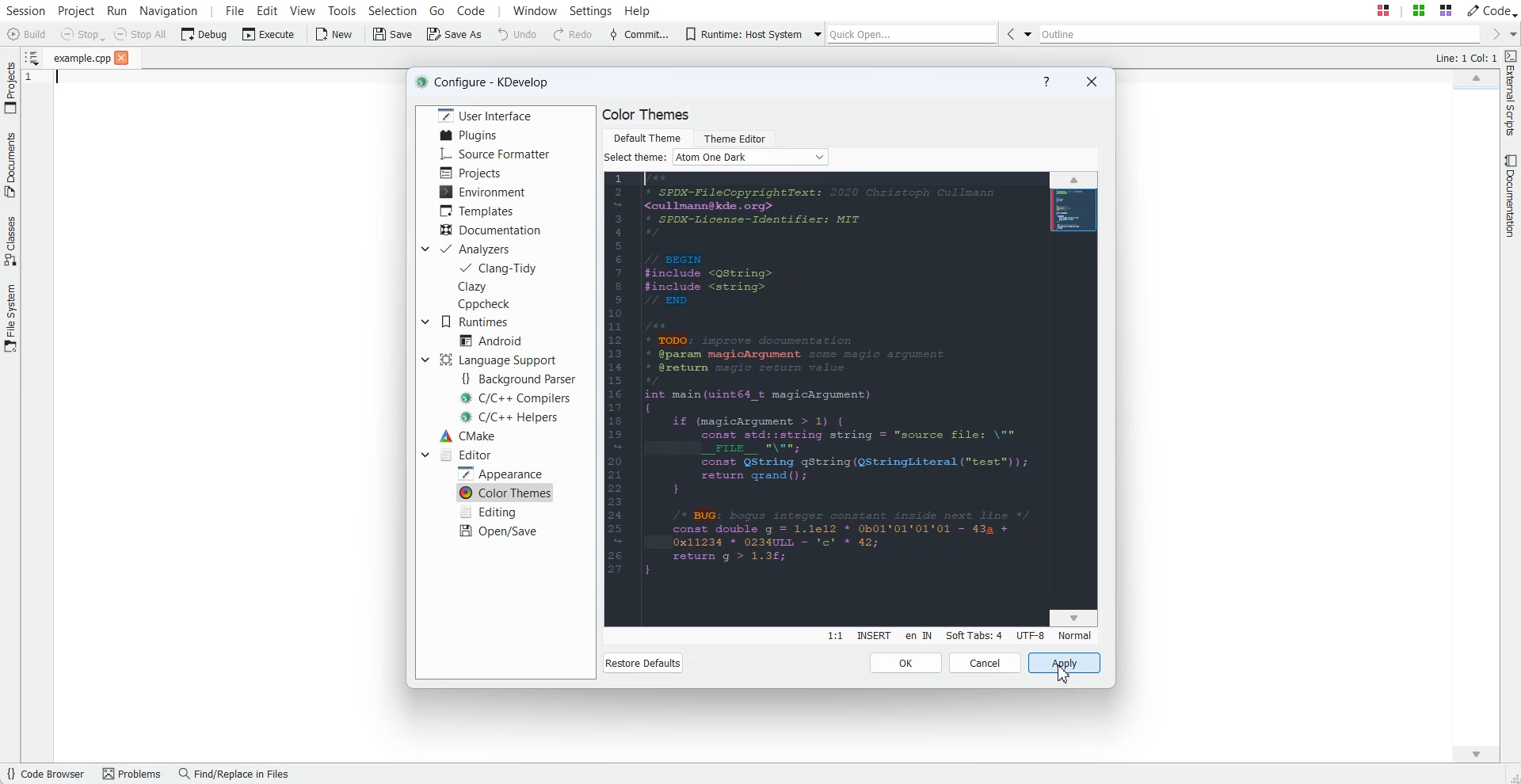  Describe the element at coordinates (1091, 81) in the screenshot. I see `Close` at that location.